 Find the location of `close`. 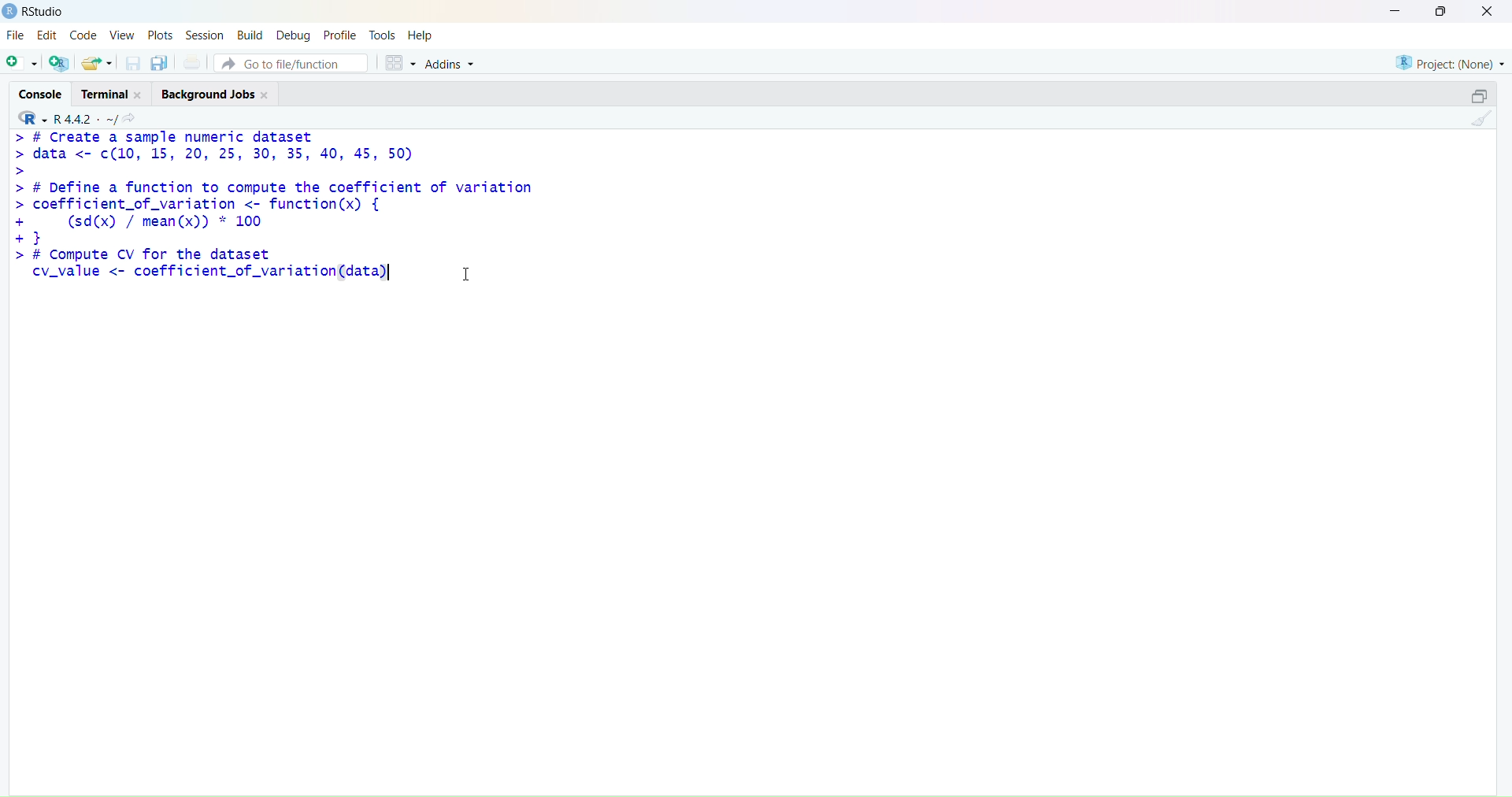

close is located at coordinates (1487, 11).